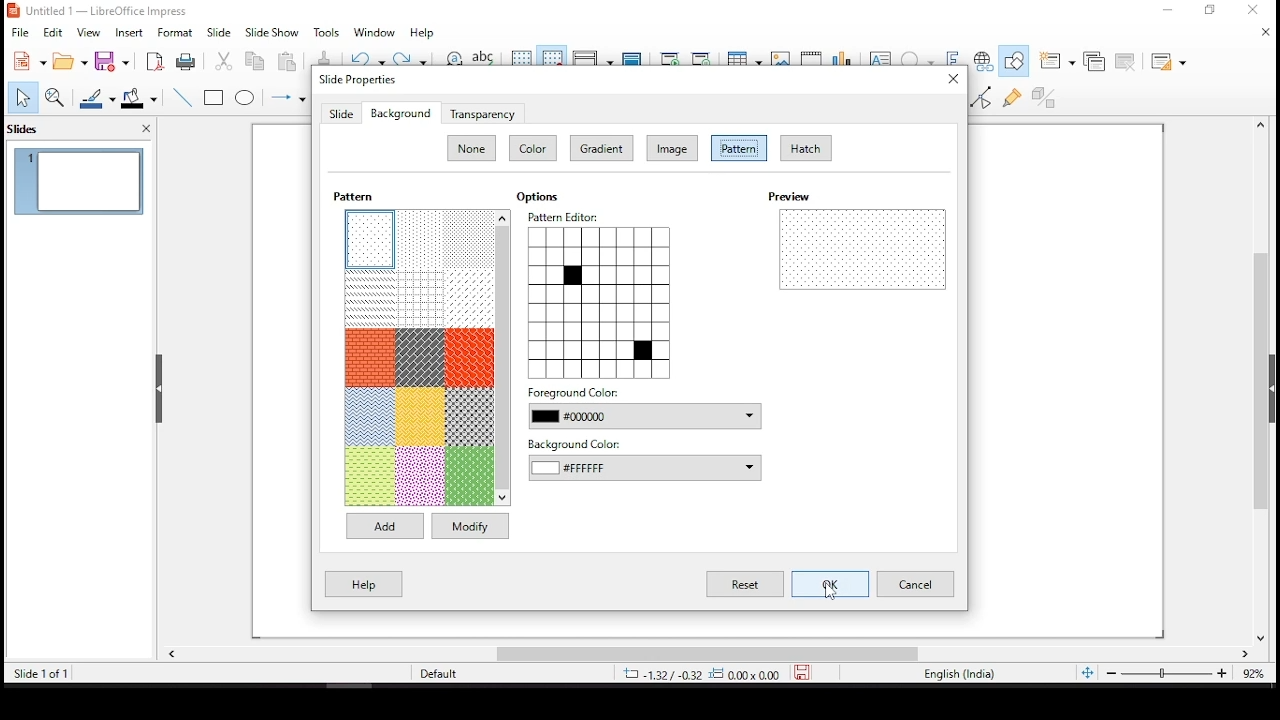  What do you see at coordinates (155, 60) in the screenshot?
I see `export as pdf` at bounding box center [155, 60].